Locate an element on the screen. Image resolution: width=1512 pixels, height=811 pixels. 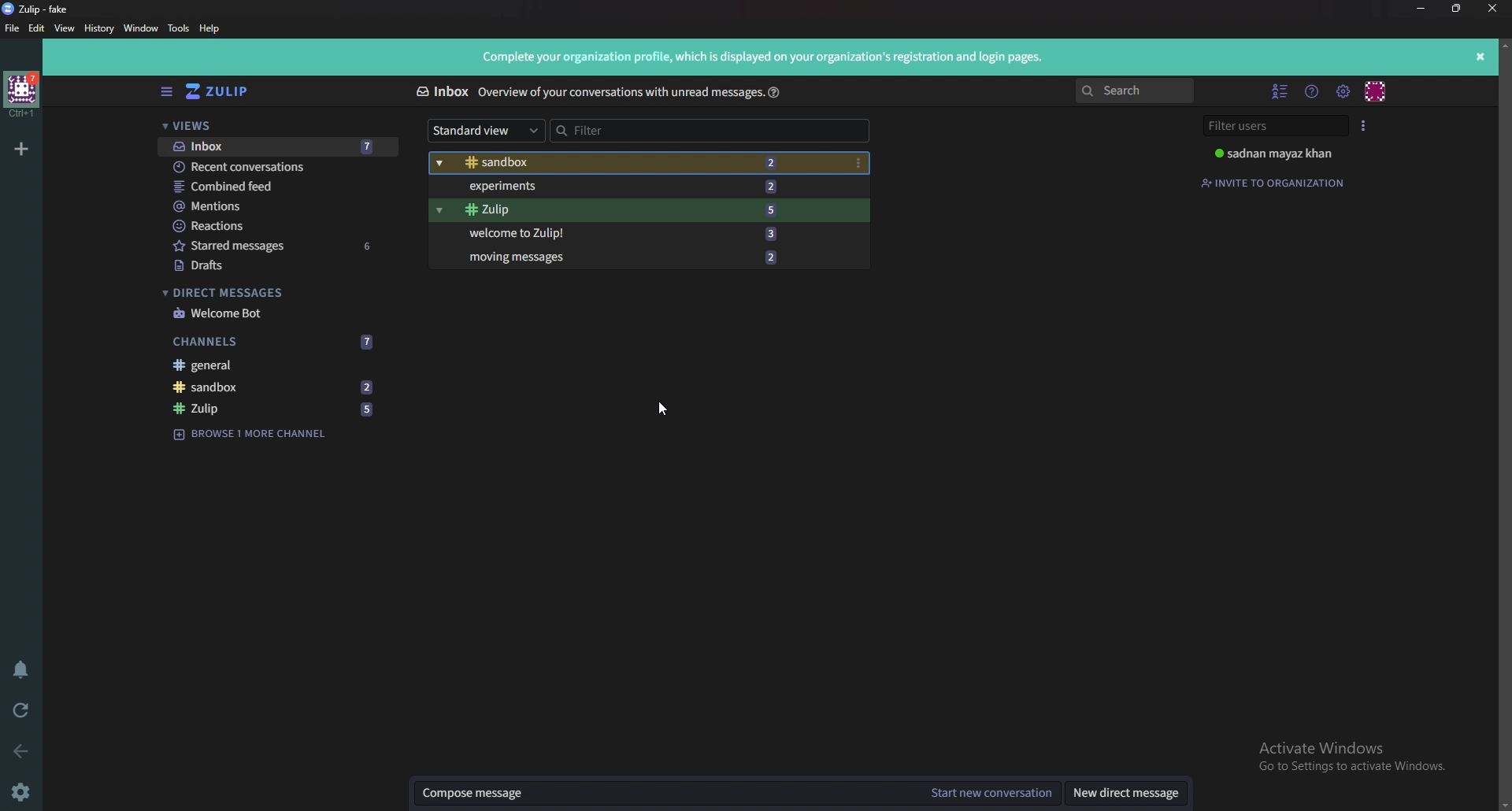
Tools is located at coordinates (178, 30).